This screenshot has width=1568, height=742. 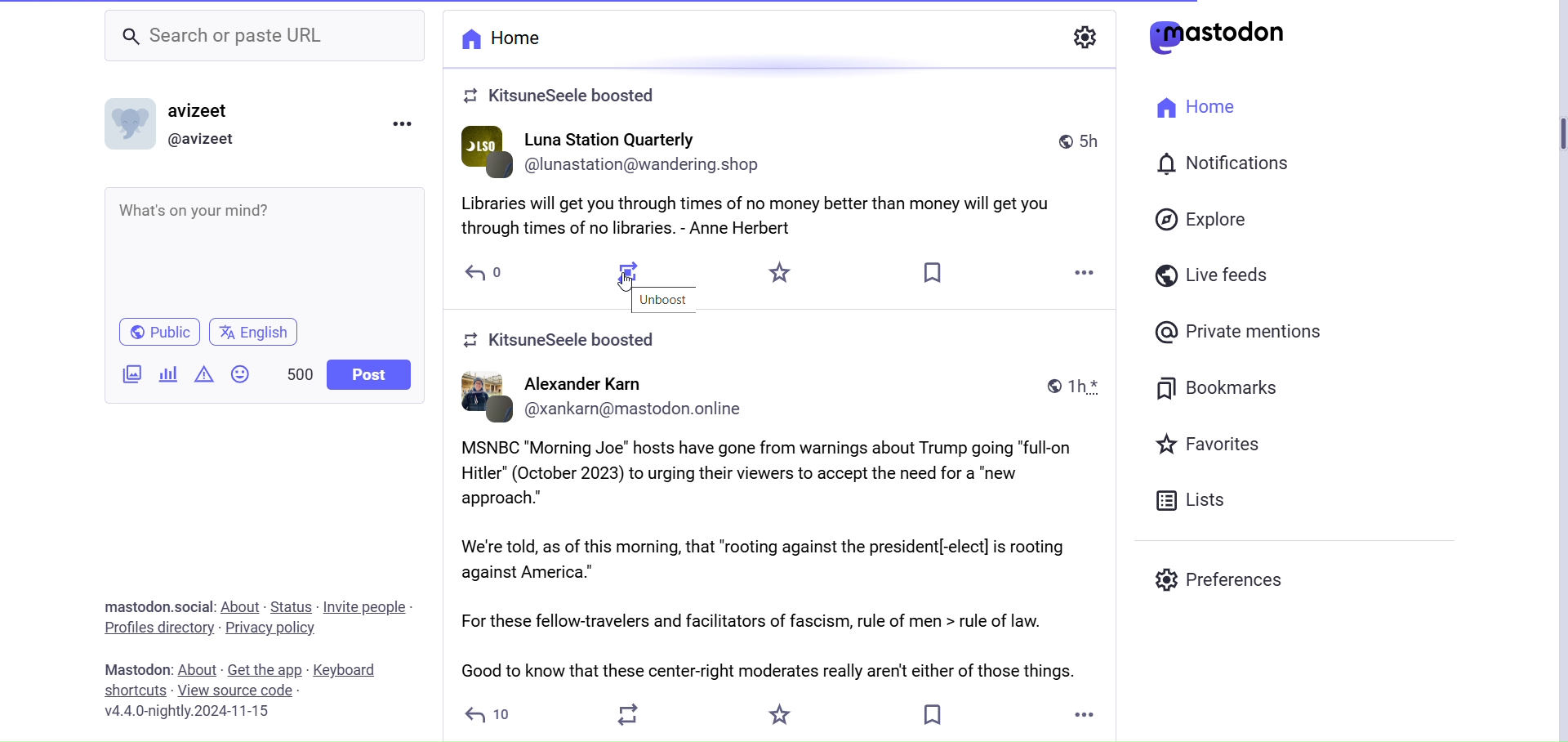 I want to click on Add Poll, so click(x=171, y=375).